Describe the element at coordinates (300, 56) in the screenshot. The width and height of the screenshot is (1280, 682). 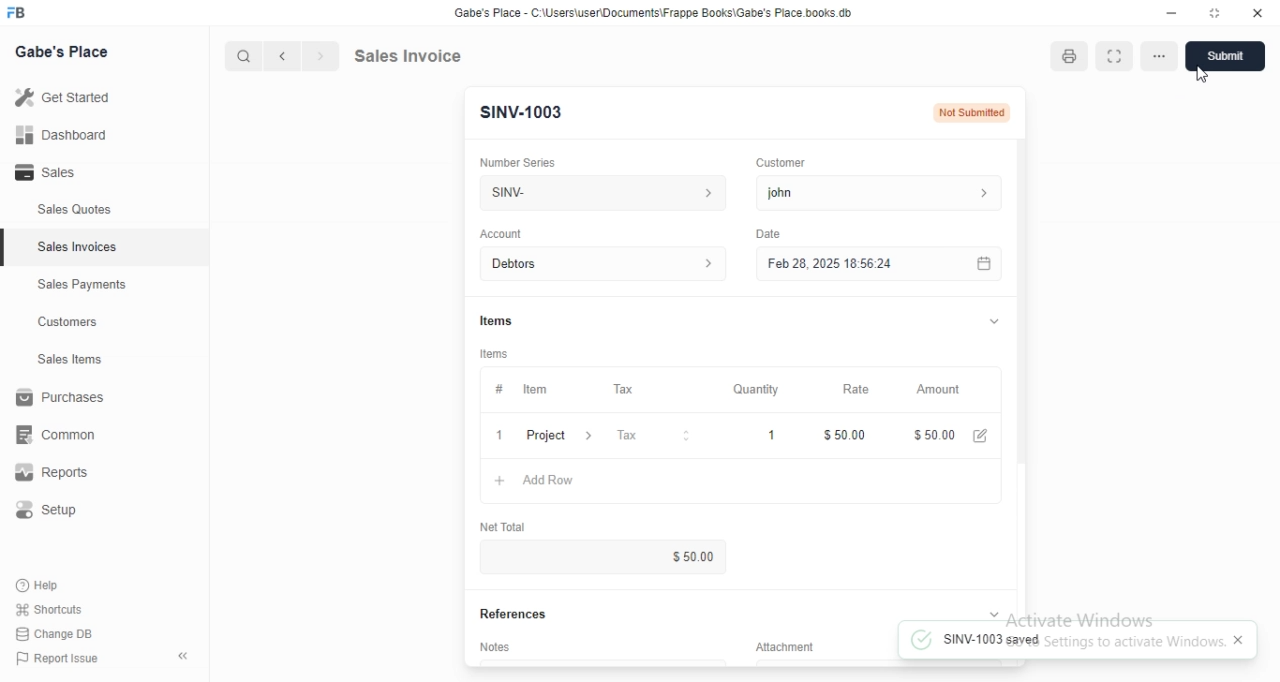
I see `forward/backward` at that location.